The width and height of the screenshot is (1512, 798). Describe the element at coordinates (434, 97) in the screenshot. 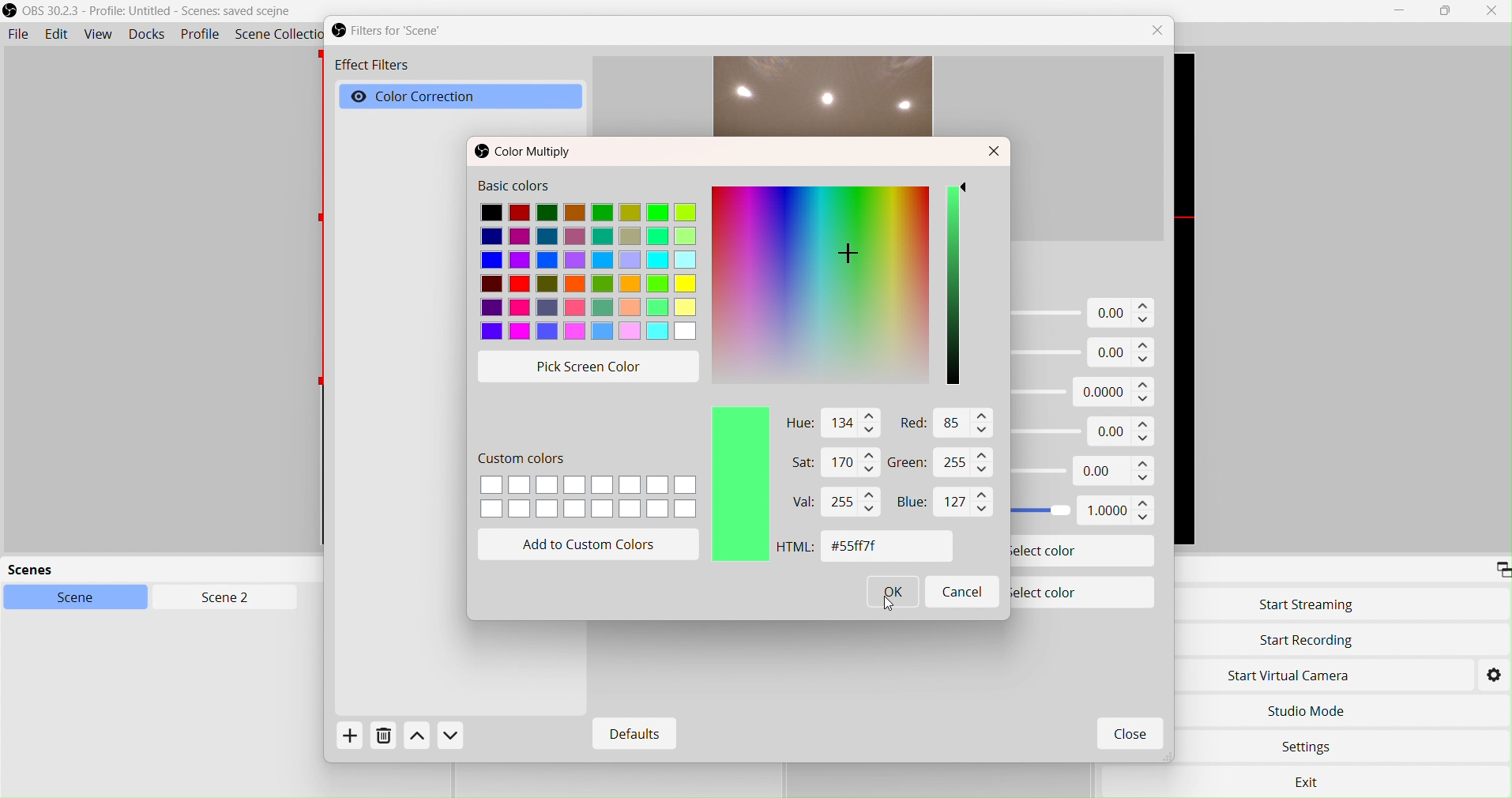

I see `Color Correction` at that location.